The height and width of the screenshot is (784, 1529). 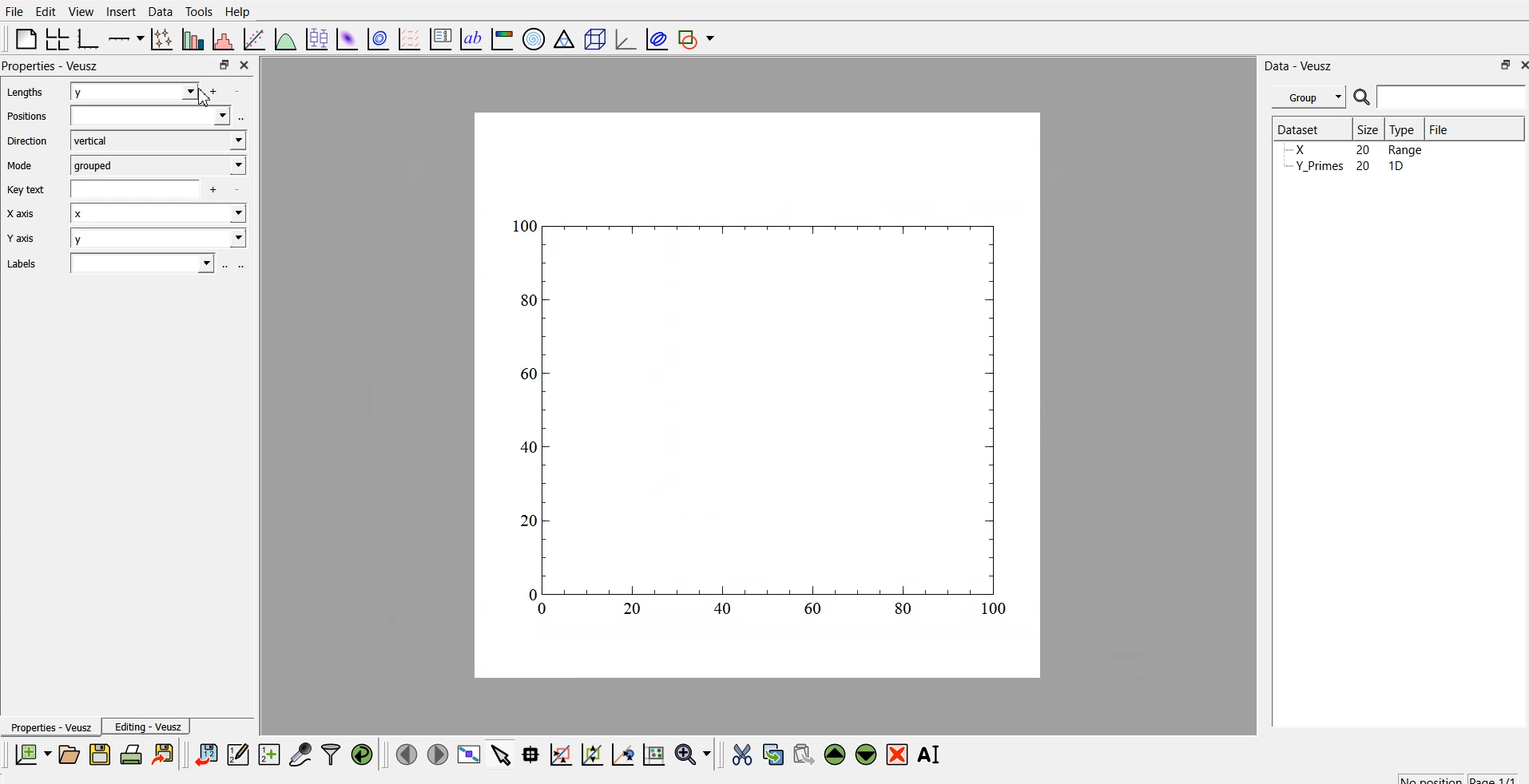 I want to click on plot data, so click(x=378, y=38).